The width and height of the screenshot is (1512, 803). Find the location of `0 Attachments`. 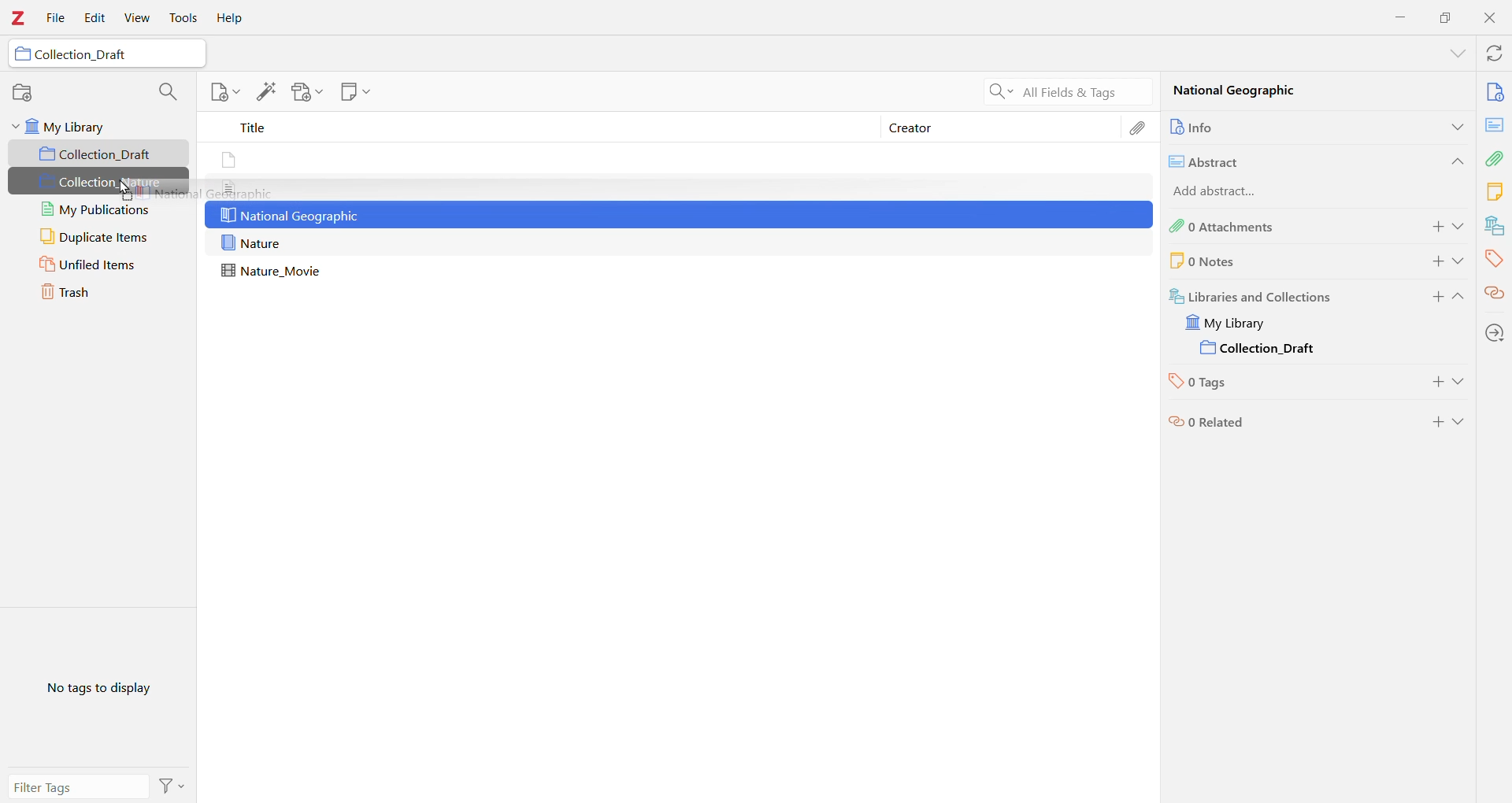

0 Attachments is located at coordinates (1280, 227).